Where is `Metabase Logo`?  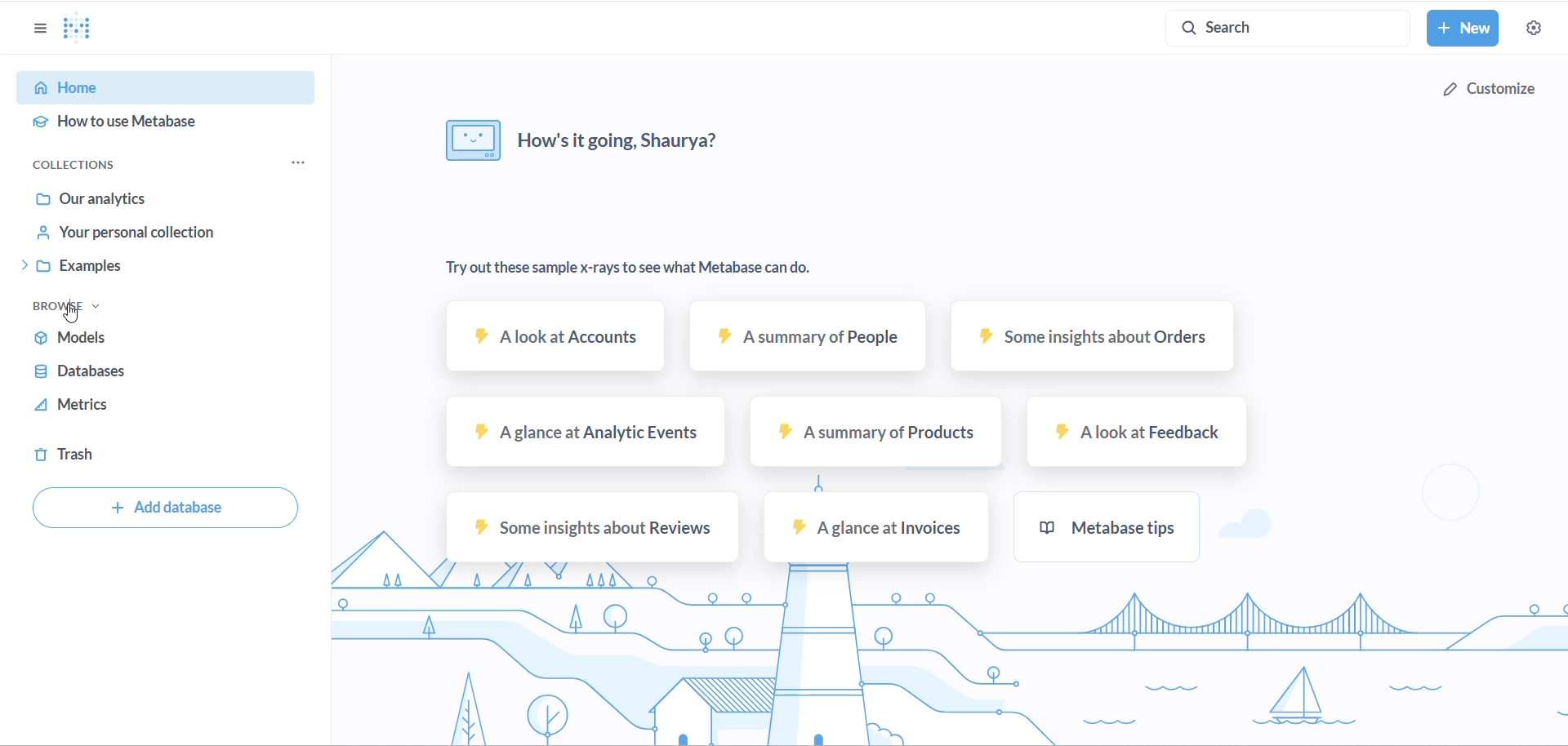 Metabase Logo is located at coordinates (84, 29).